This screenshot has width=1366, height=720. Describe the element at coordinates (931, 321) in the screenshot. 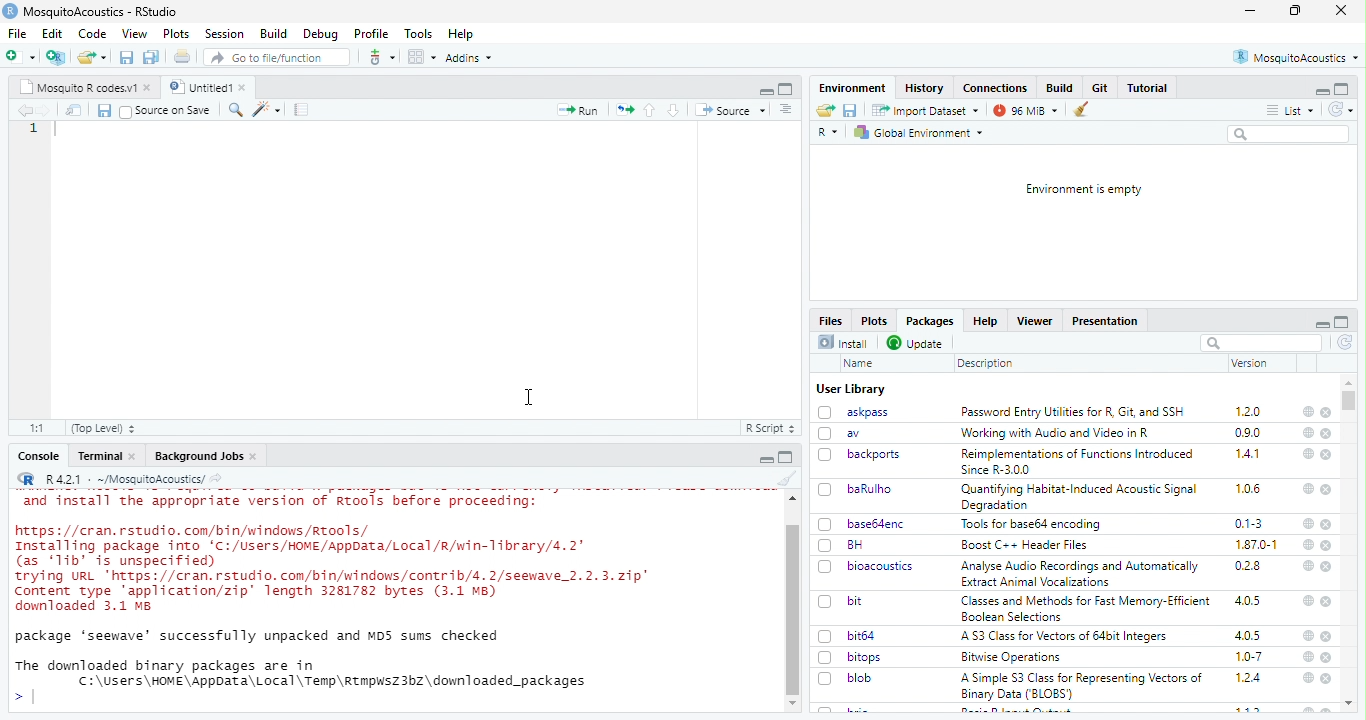

I see `Packages` at that location.